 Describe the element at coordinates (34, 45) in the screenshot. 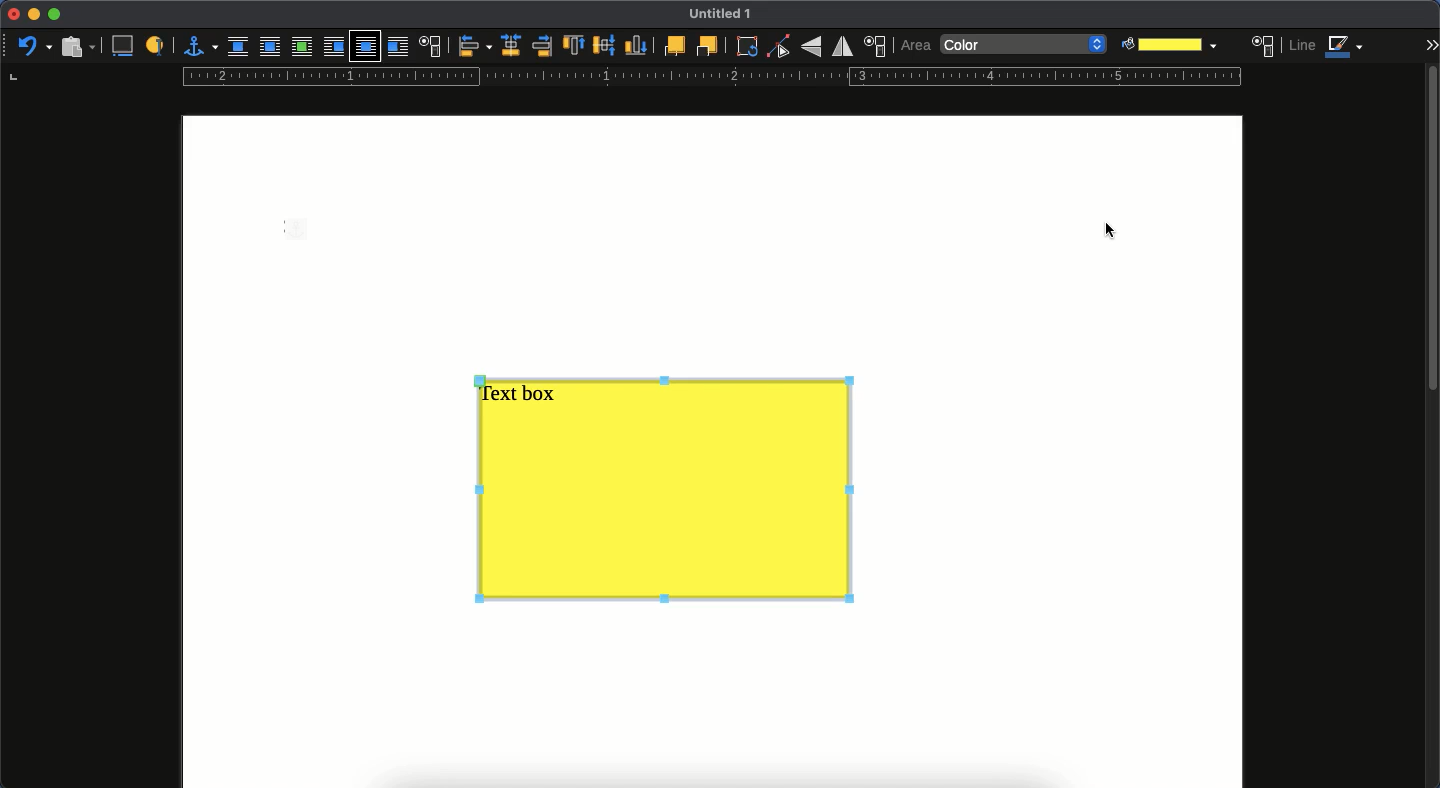

I see `undo` at that location.